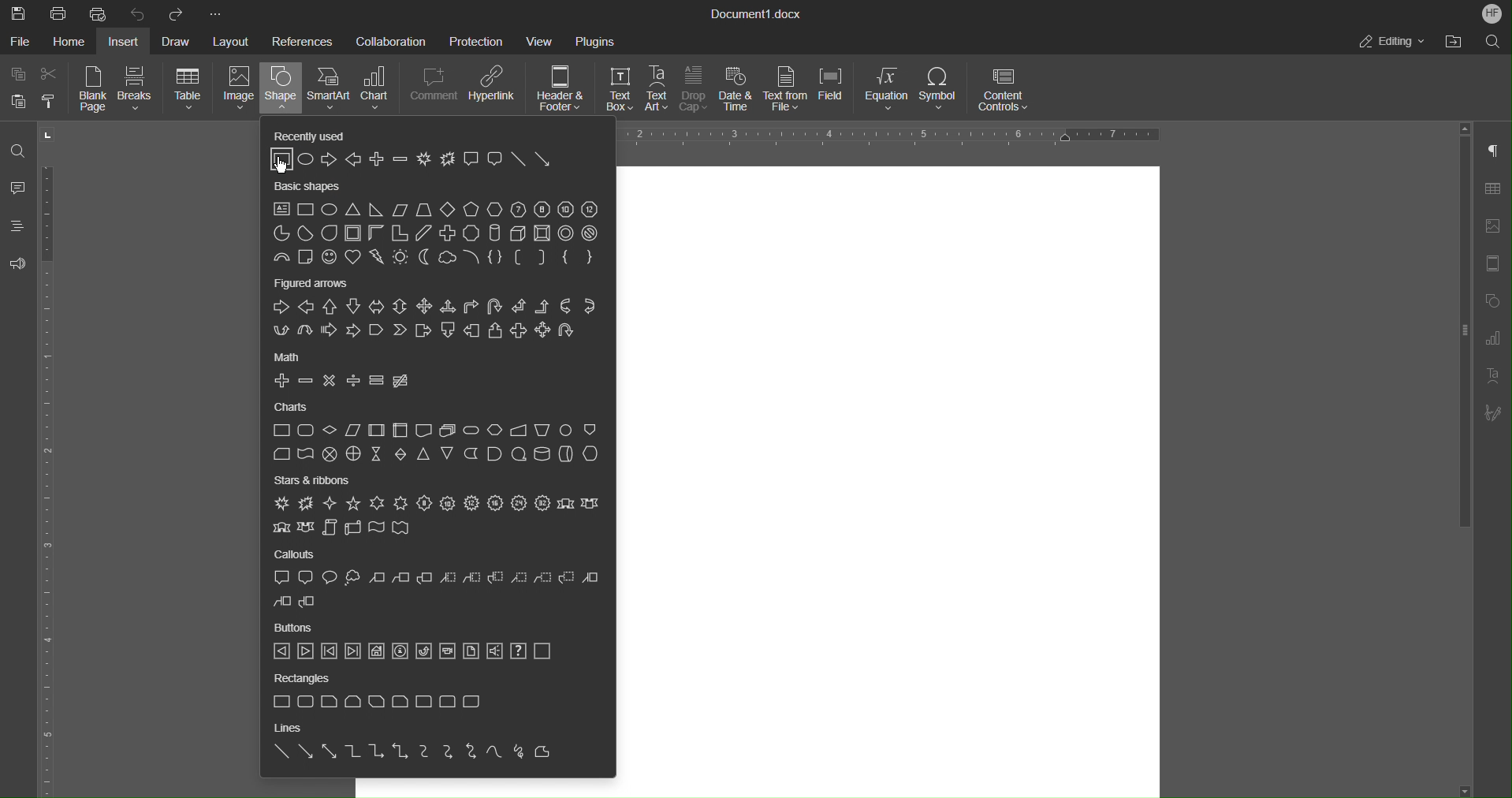 The image size is (1512, 798). I want to click on Content Controls, so click(1005, 91).